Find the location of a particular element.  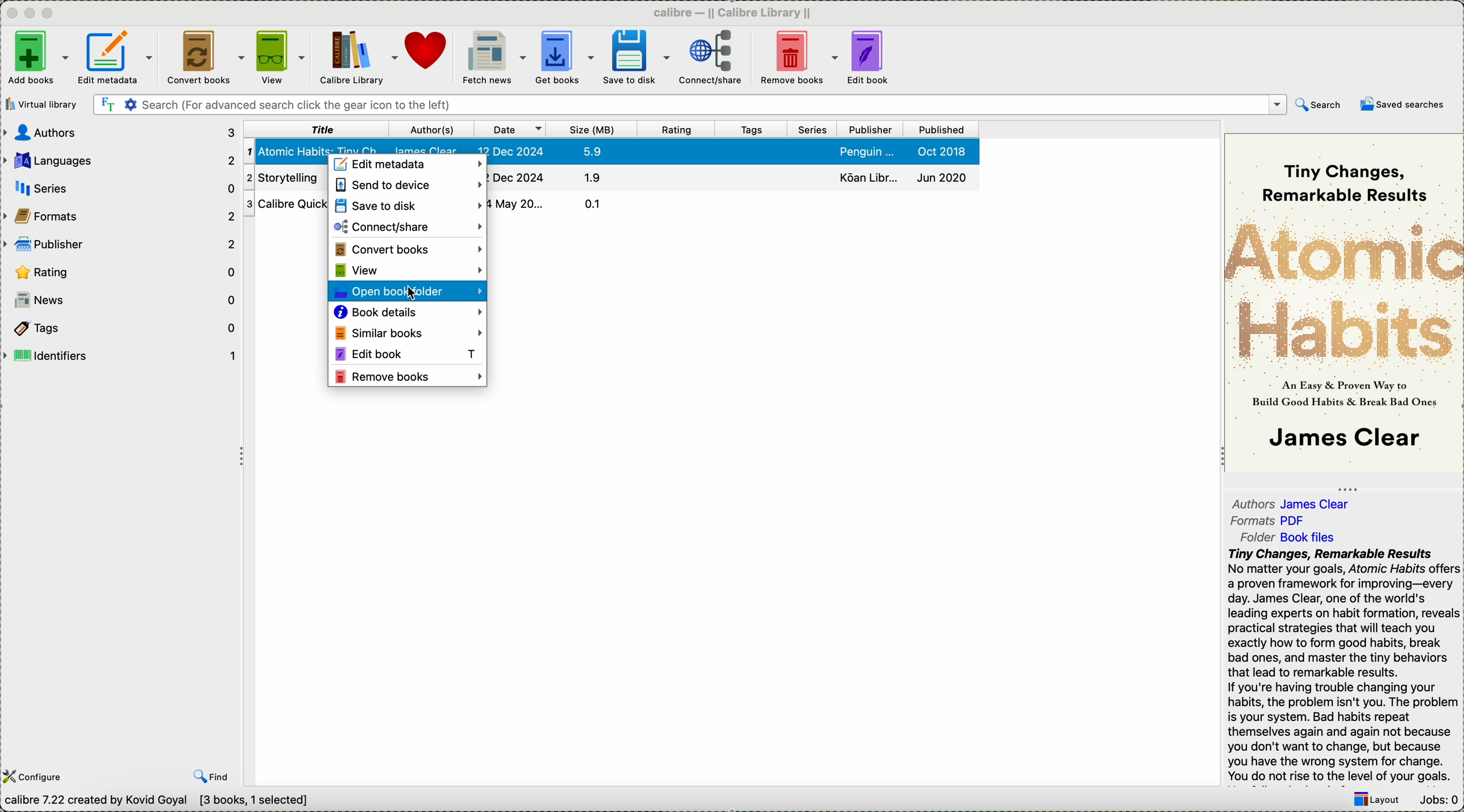

cursor is located at coordinates (416, 295).